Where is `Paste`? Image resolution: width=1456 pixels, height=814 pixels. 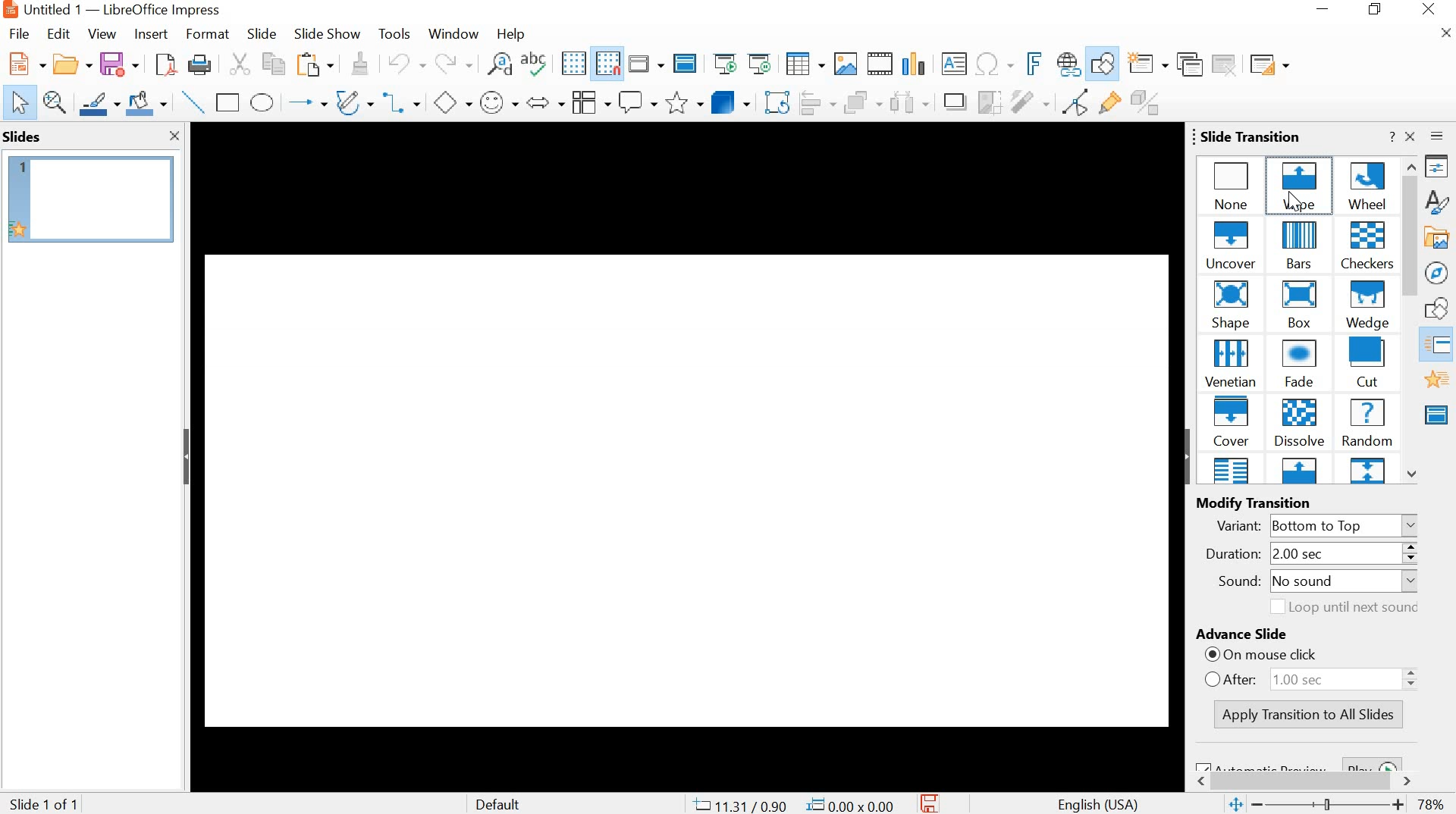 Paste is located at coordinates (315, 65).